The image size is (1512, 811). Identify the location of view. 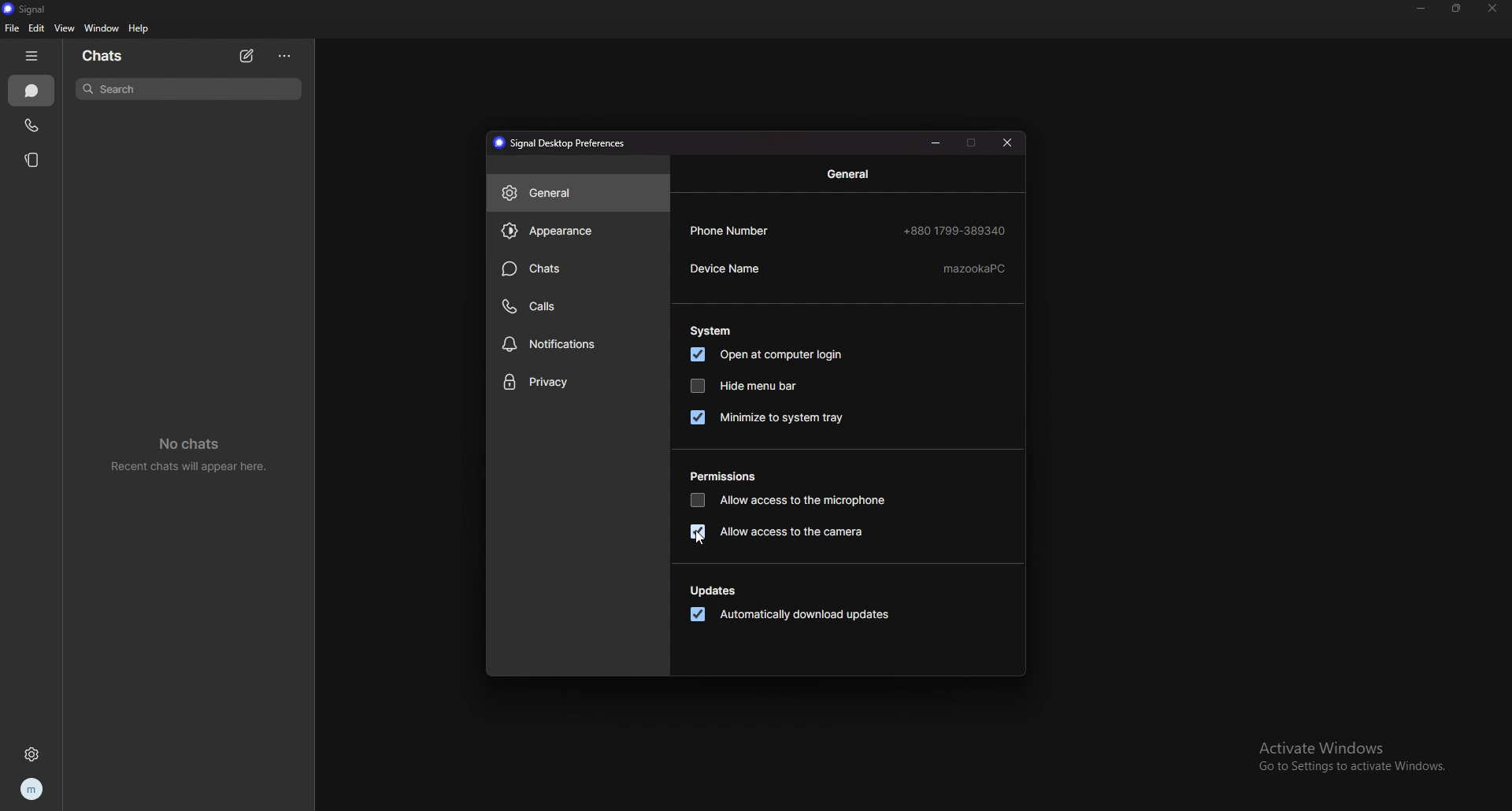
(64, 28).